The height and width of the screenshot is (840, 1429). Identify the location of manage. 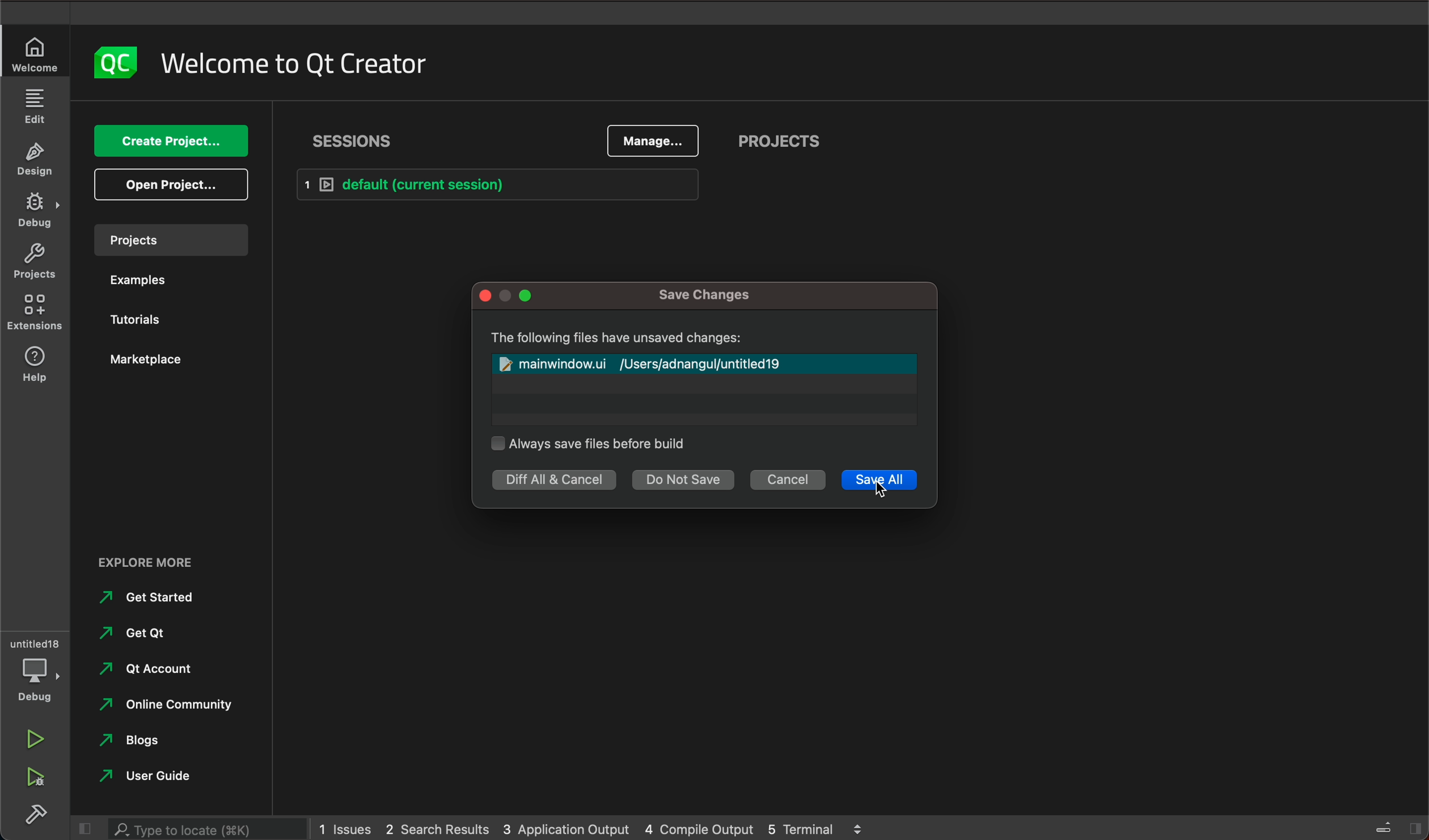
(641, 137).